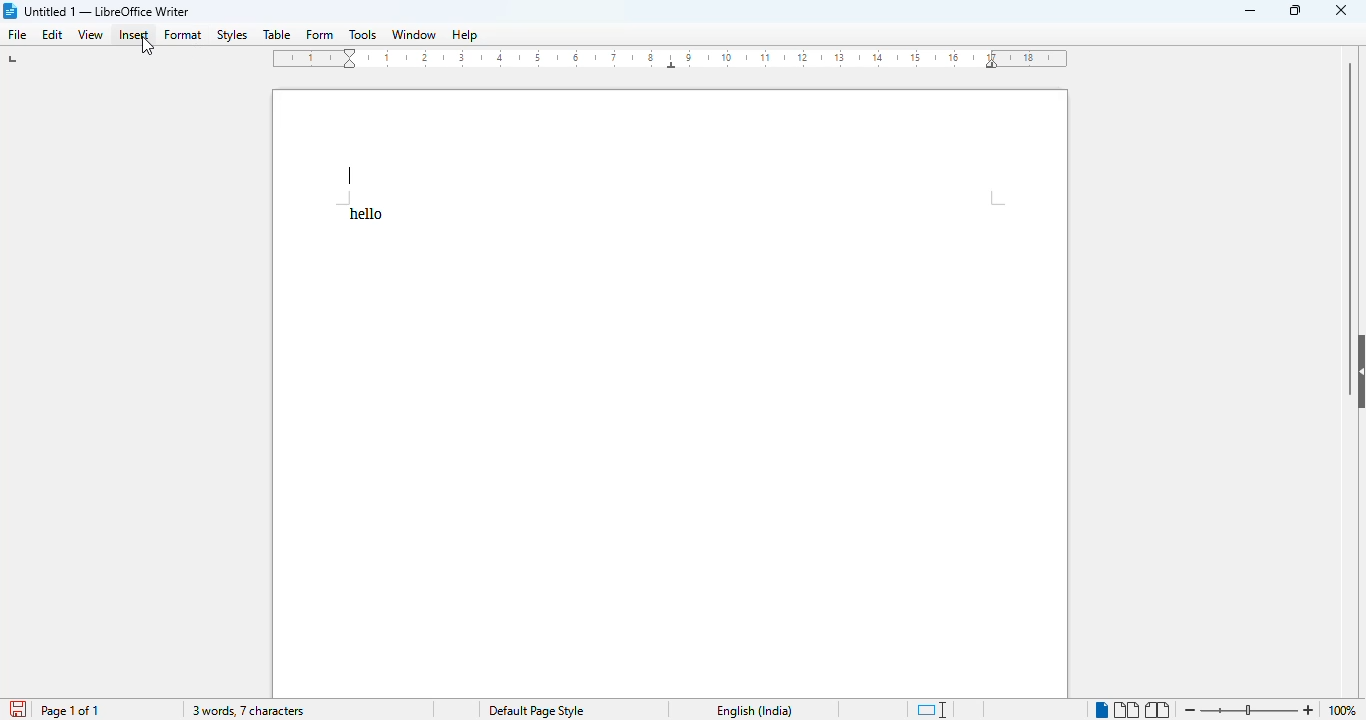 The height and width of the screenshot is (720, 1366). What do you see at coordinates (362, 174) in the screenshot?
I see `header` at bounding box center [362, 174].